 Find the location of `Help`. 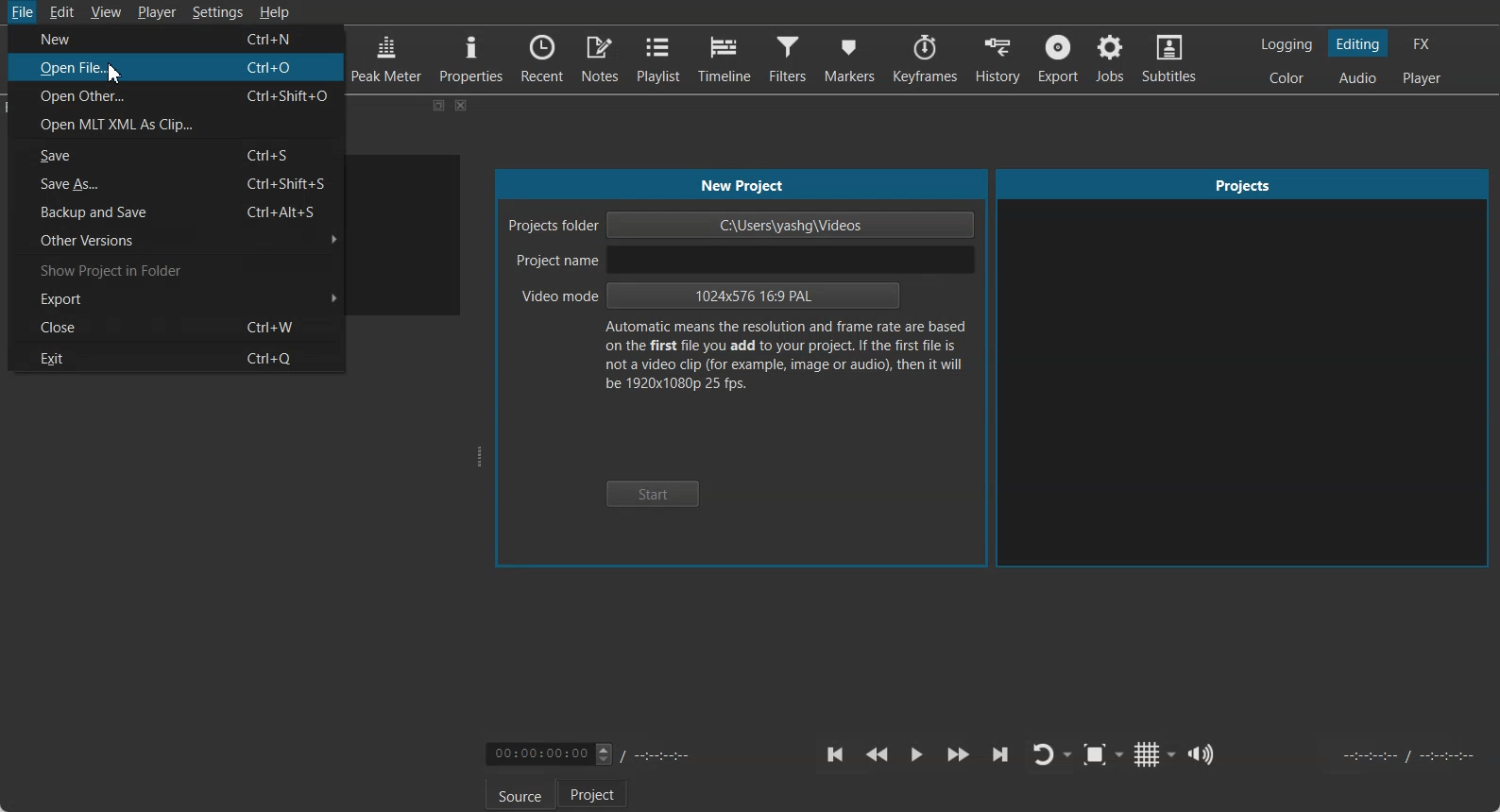

Help is located at coordinates (274, 11).